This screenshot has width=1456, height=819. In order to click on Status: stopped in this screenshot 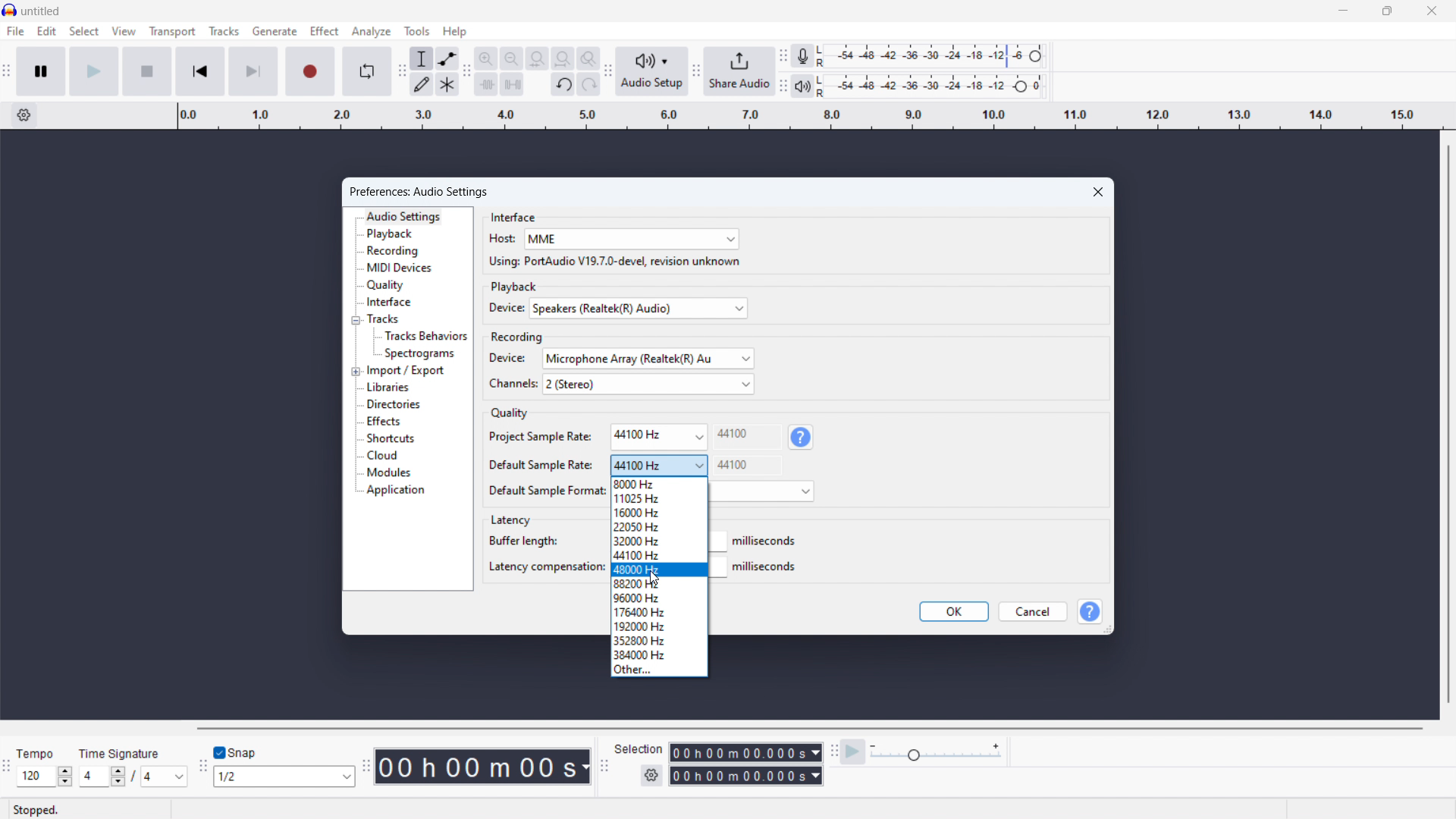, I will do `click(38, 809)`.